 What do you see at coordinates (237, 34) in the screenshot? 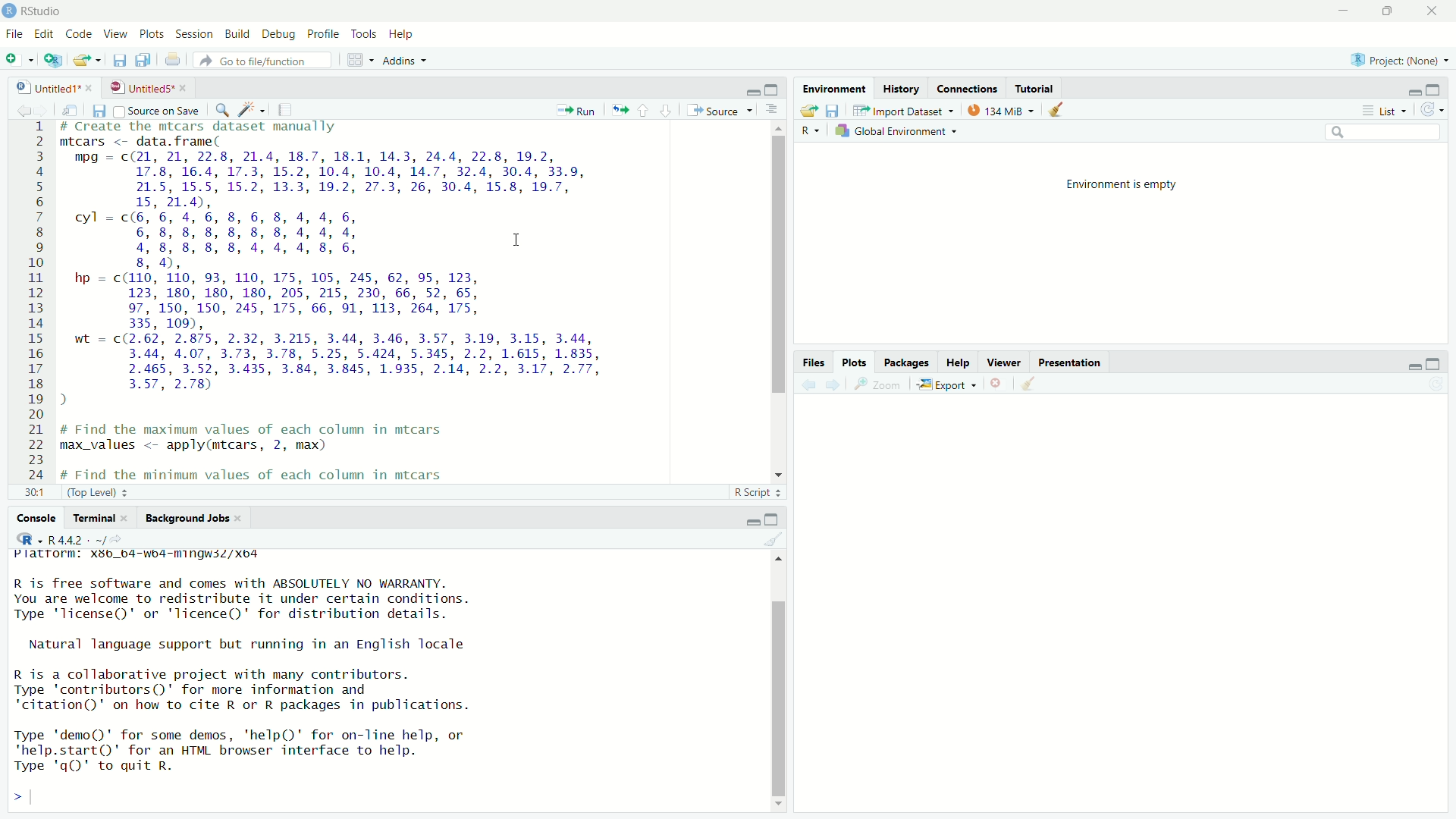
I see `Build` at bounding box center [237, 34].